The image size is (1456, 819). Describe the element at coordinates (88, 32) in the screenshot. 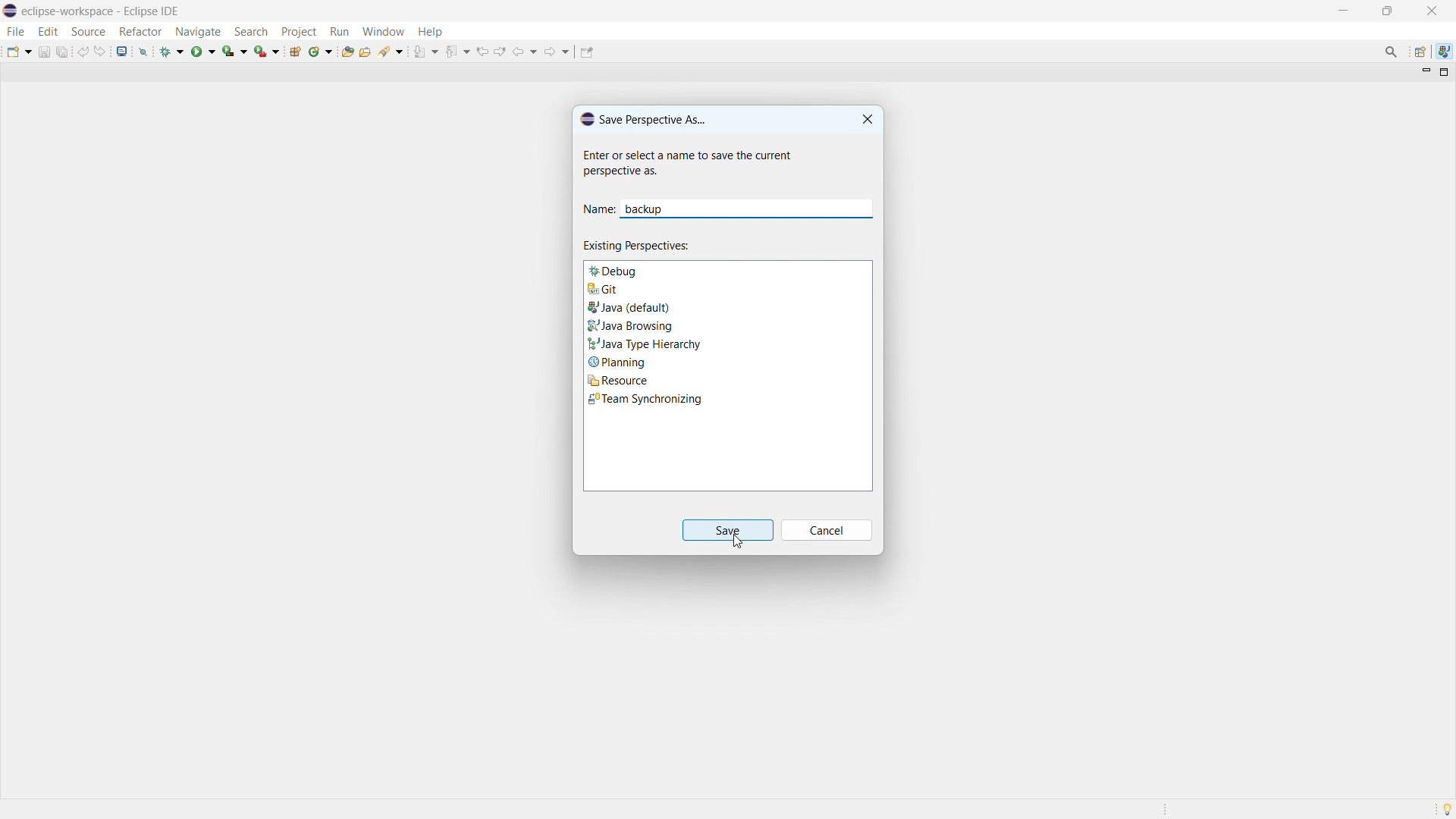

I see `source` at that location.